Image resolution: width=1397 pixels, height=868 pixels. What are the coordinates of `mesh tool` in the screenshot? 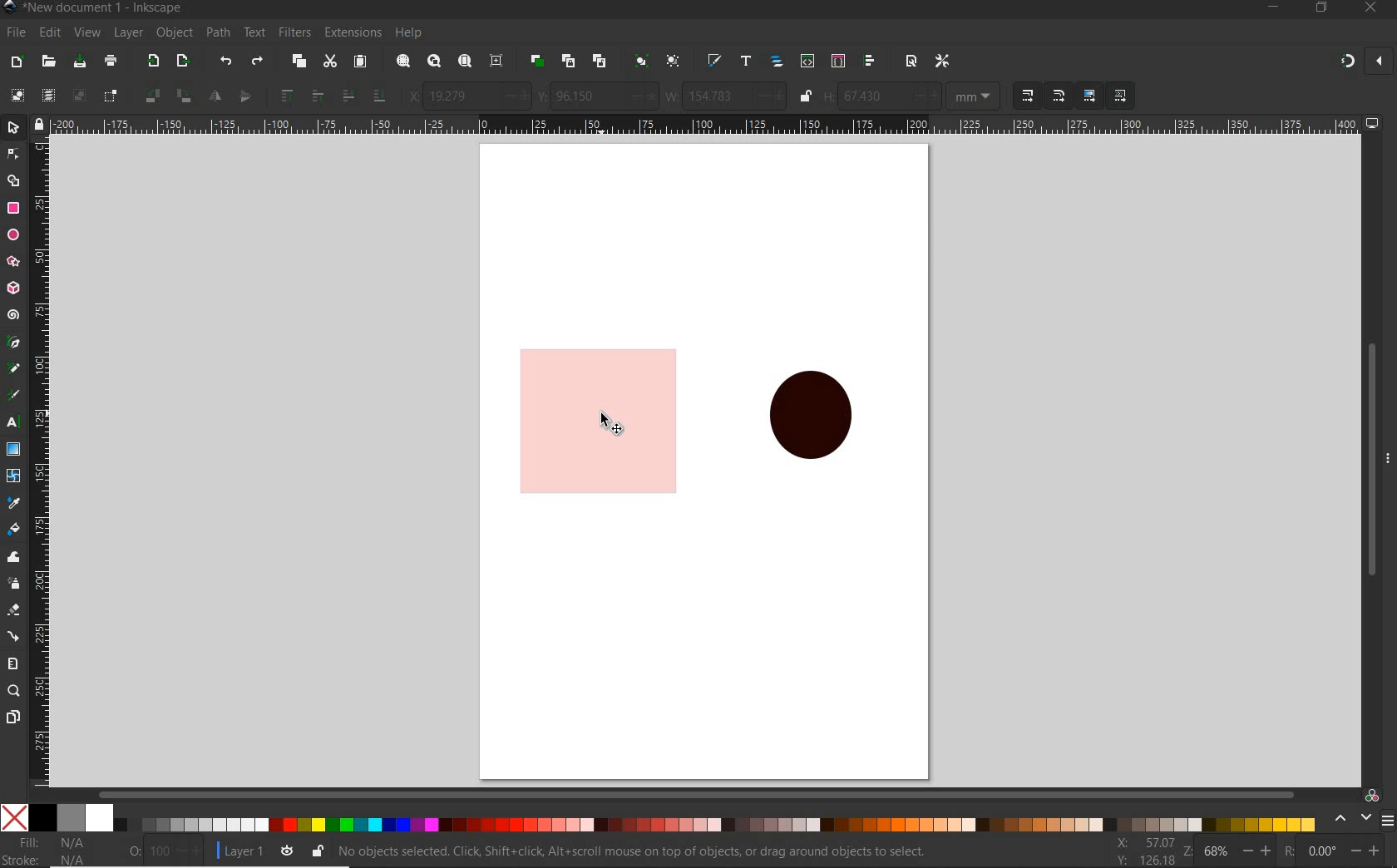 It's located at (13, 476).